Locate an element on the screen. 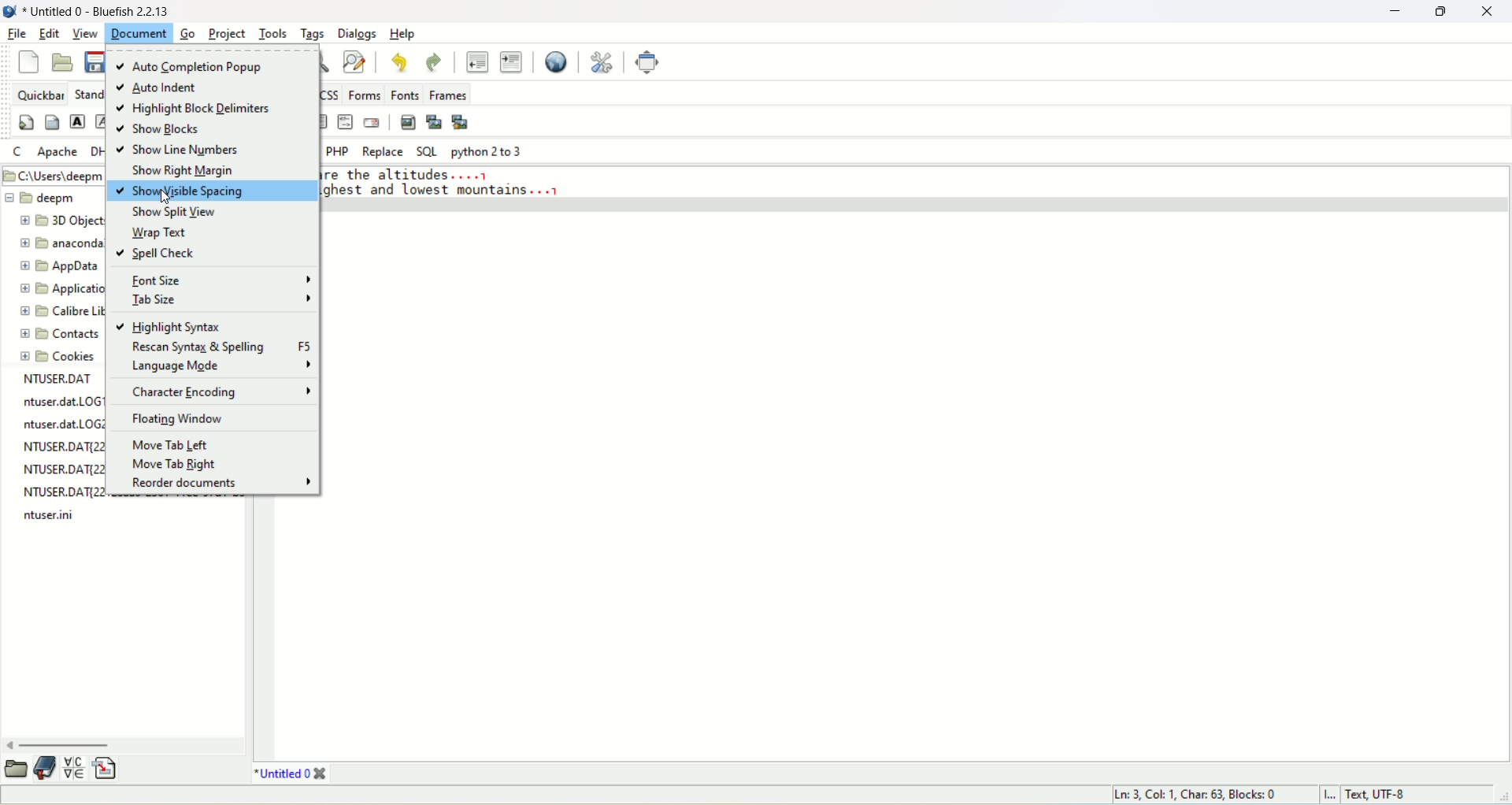 This screenshot has height=805, width=1512. text, UTF-8 is located at coordinates (1387, 796).